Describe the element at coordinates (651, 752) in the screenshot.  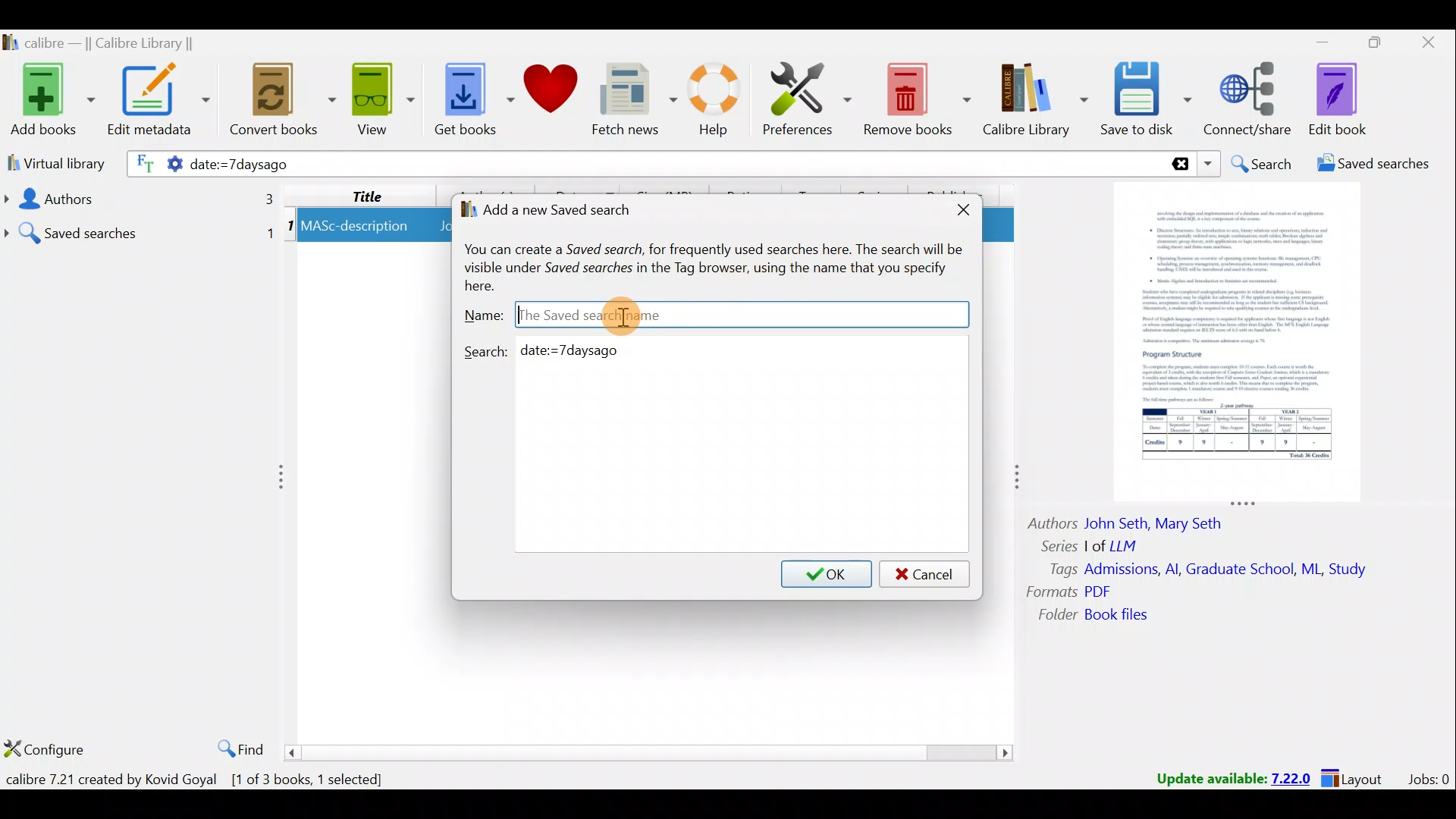
I see `Scroll bar` at that location.